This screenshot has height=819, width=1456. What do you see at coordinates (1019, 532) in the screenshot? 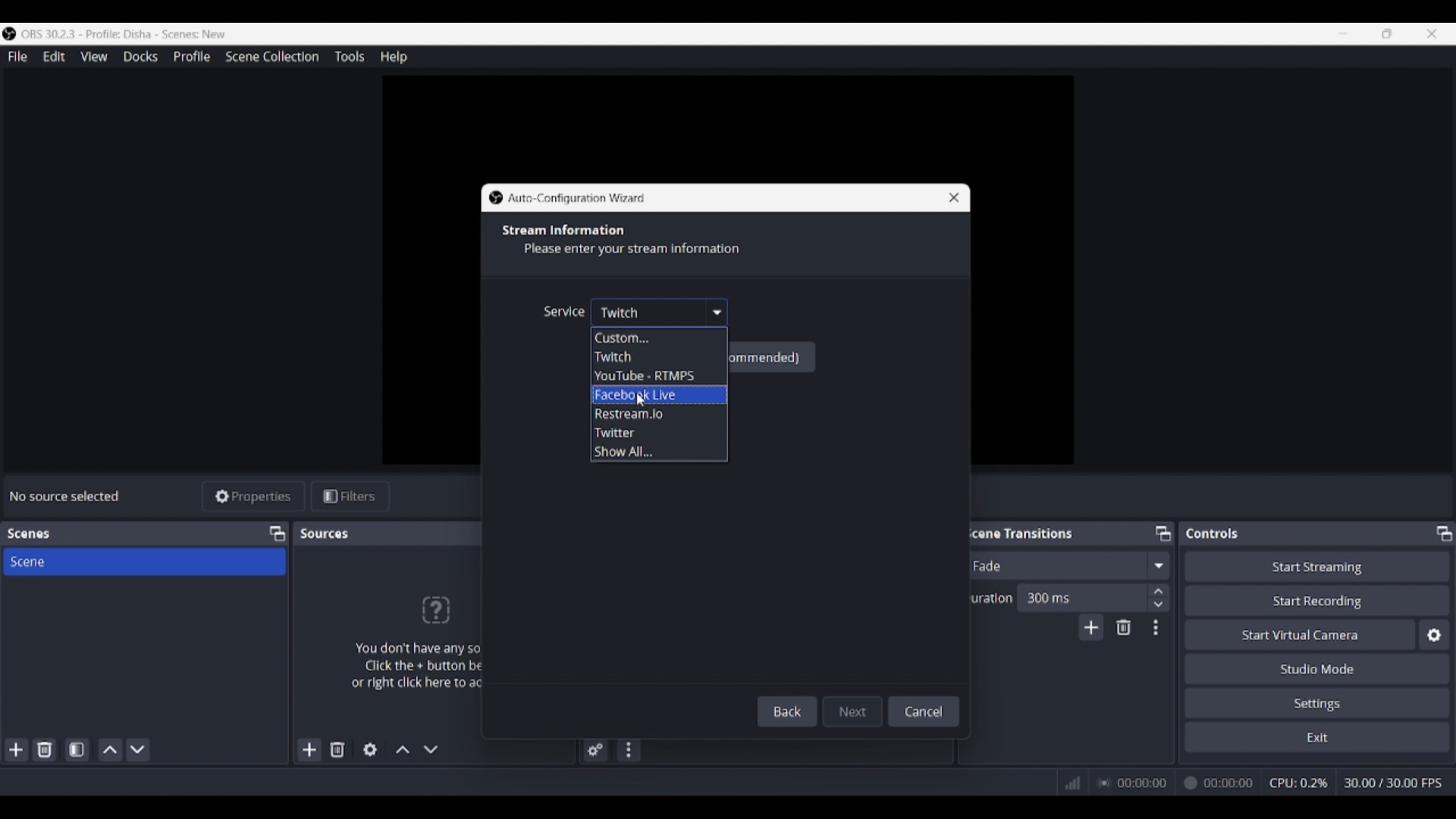
I see `Panel title` at bounding box center [1019, 532].